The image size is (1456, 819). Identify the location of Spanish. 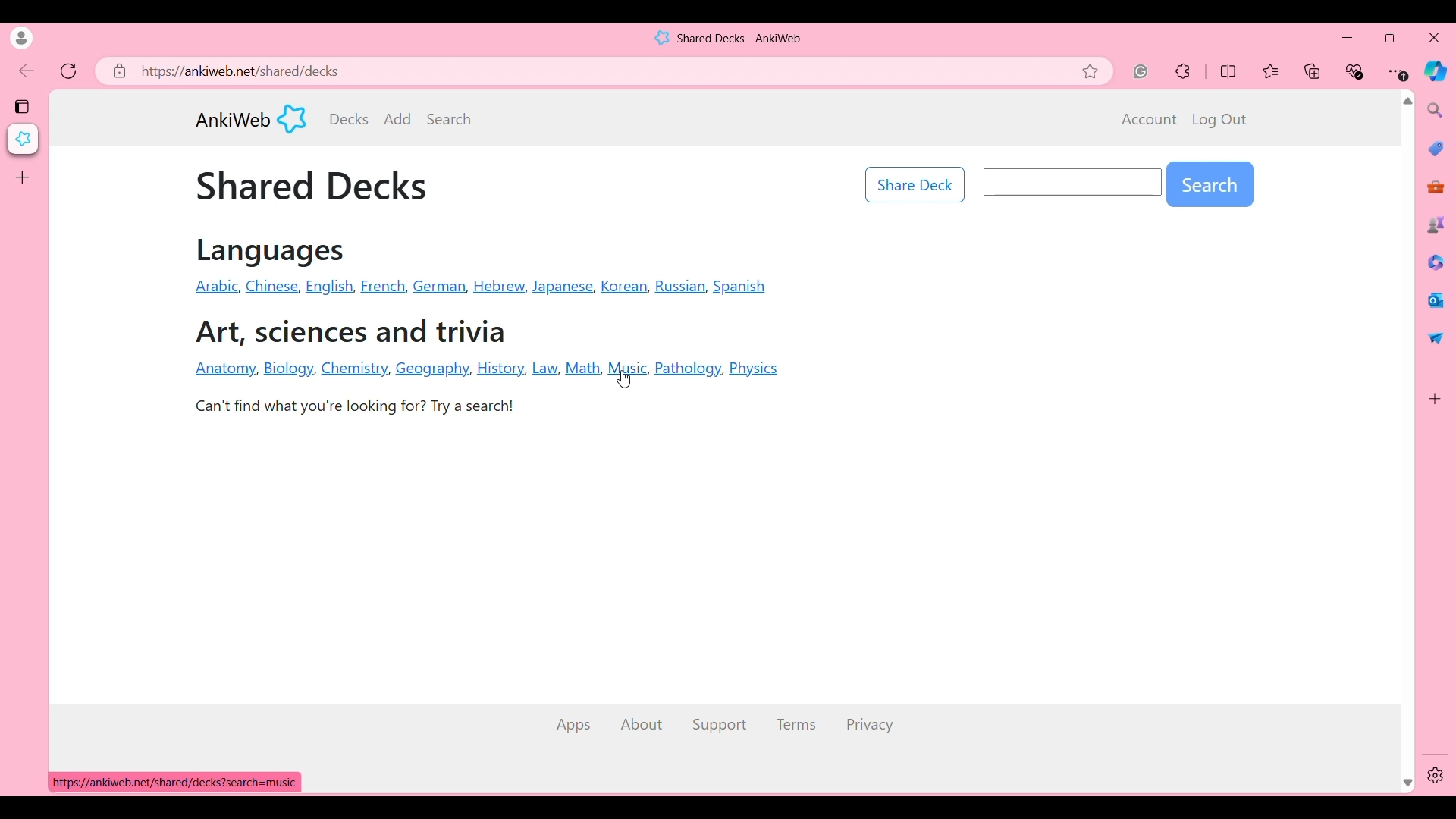
(737, 287).